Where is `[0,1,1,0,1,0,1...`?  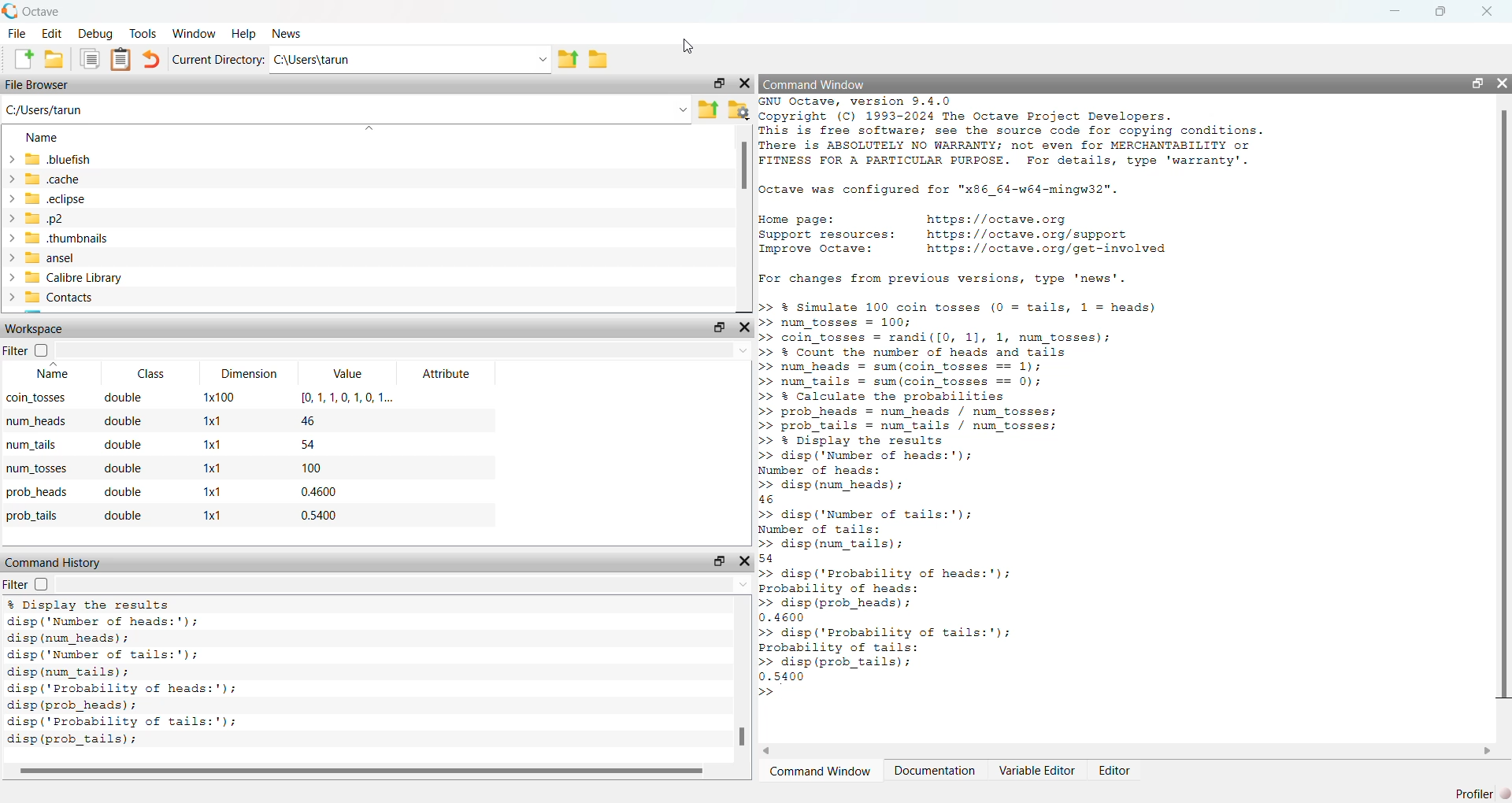 [0,1,1,0,1,0,1... is located at coordinates (349, 397).